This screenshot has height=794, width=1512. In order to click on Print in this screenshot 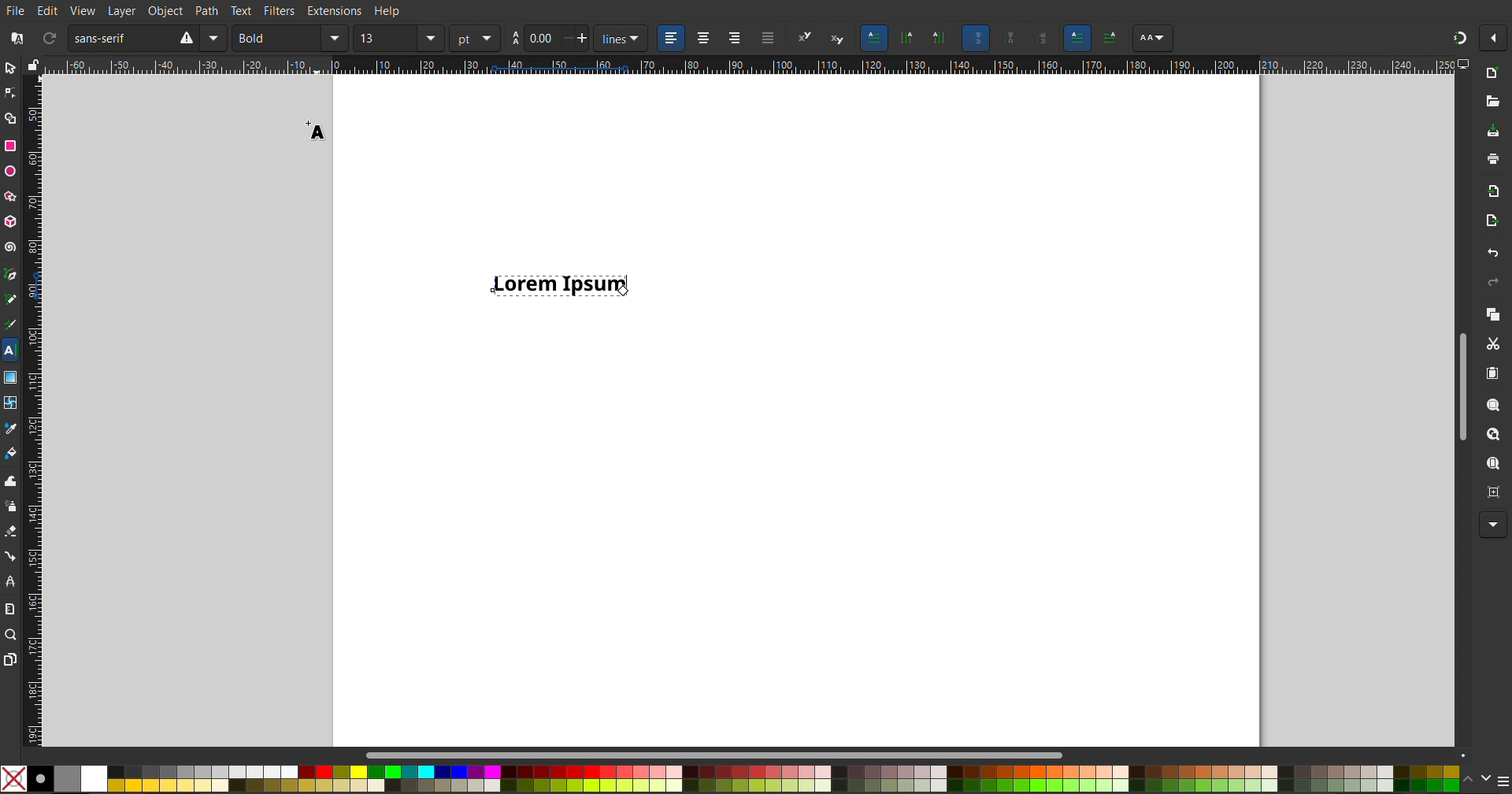, I will do `click(1492, 161)`.